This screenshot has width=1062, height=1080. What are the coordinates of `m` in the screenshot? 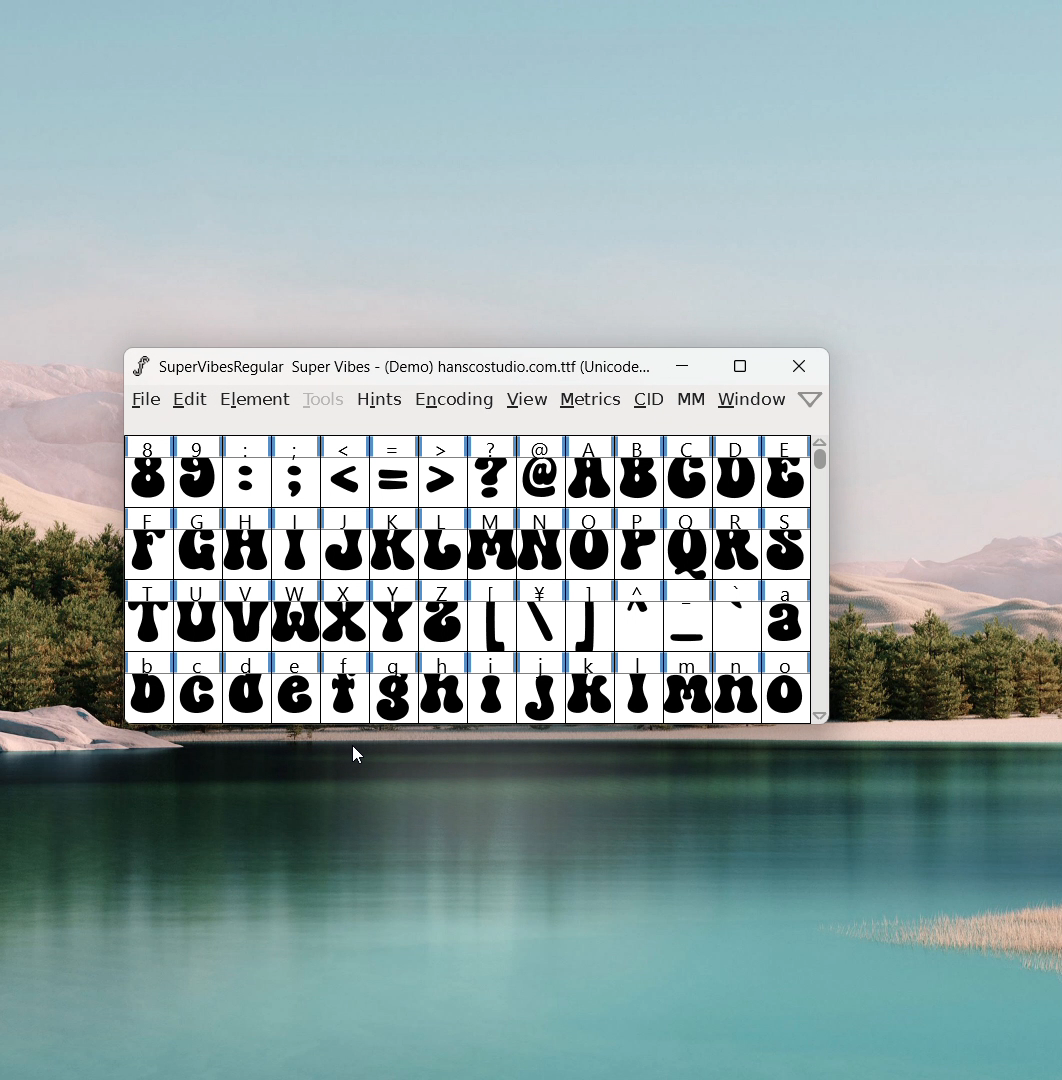 It's located at (688, 687).